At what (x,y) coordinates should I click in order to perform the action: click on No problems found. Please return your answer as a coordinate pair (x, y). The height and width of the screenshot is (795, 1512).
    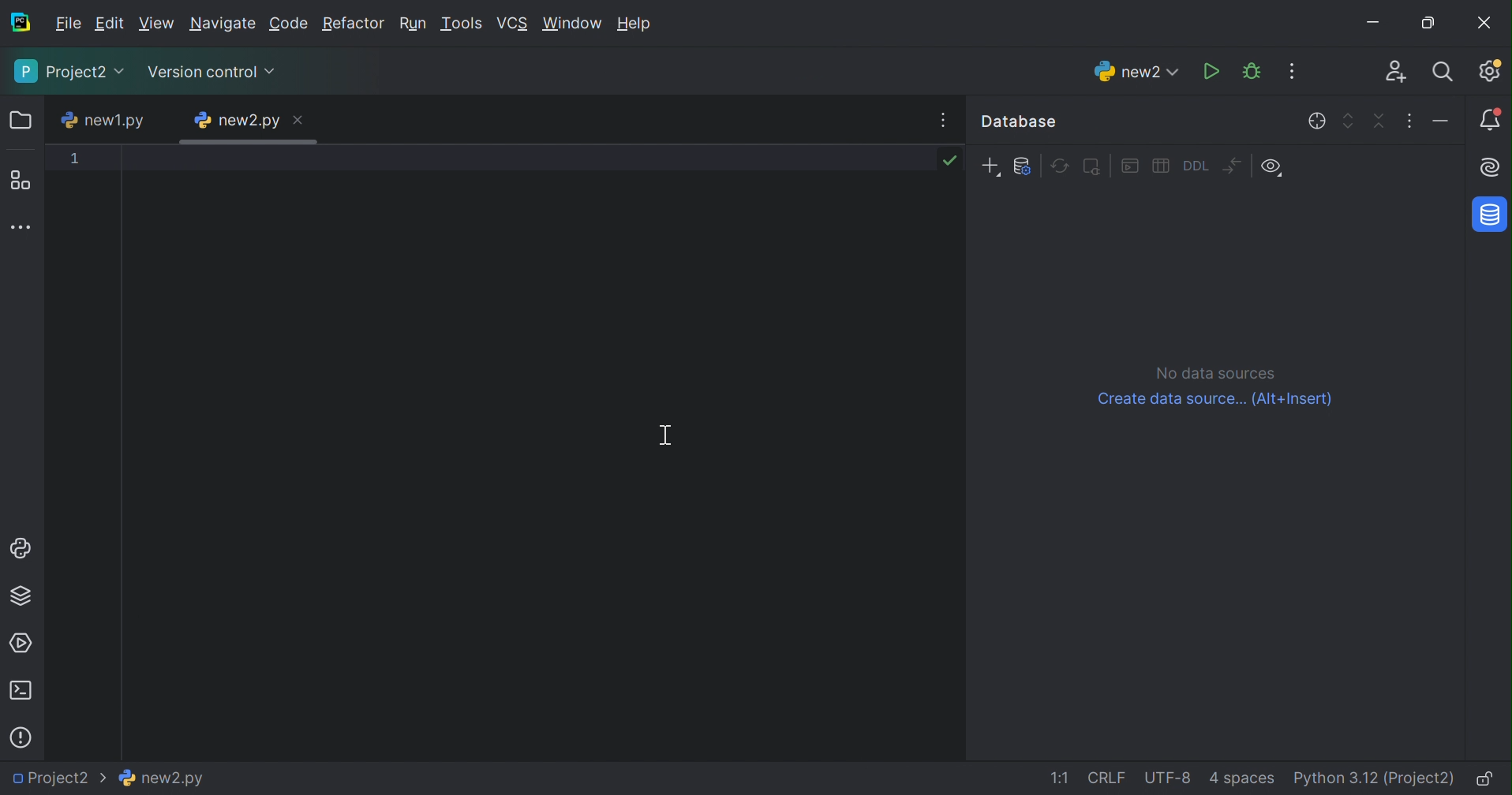
    Looking at the image, I should click on (950, 163).